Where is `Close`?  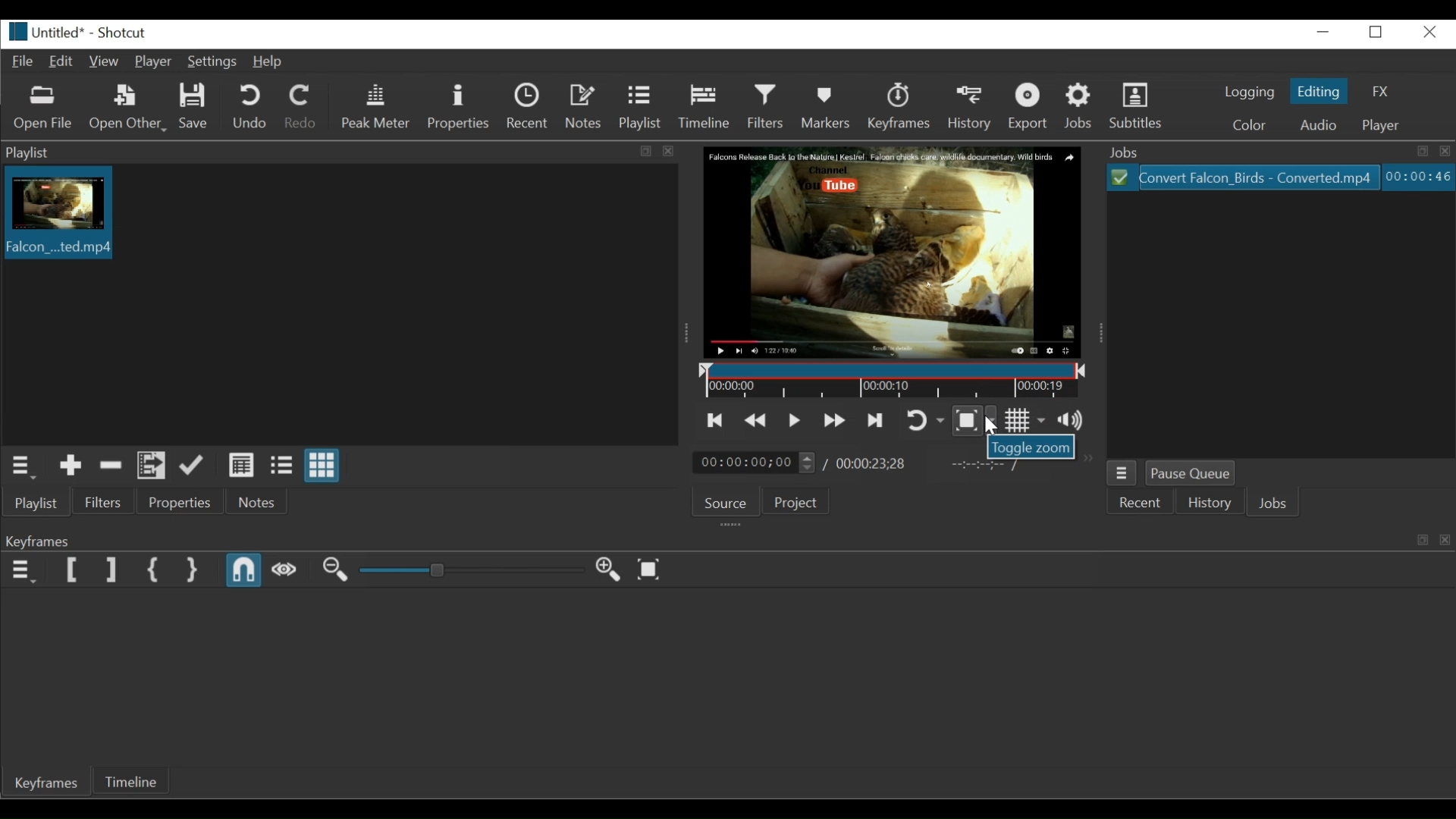 Close is located at coordinates (1429, 32).